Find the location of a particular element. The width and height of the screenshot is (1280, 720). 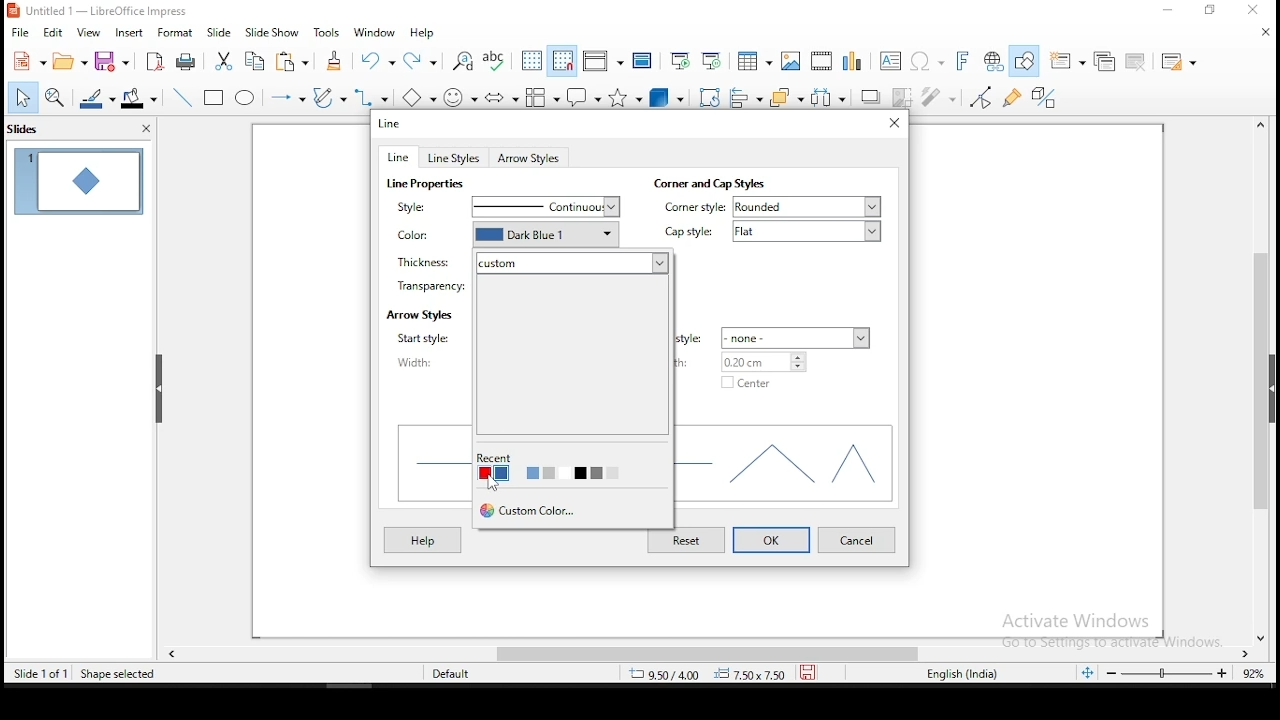

view is located at coordinates (87, 32).